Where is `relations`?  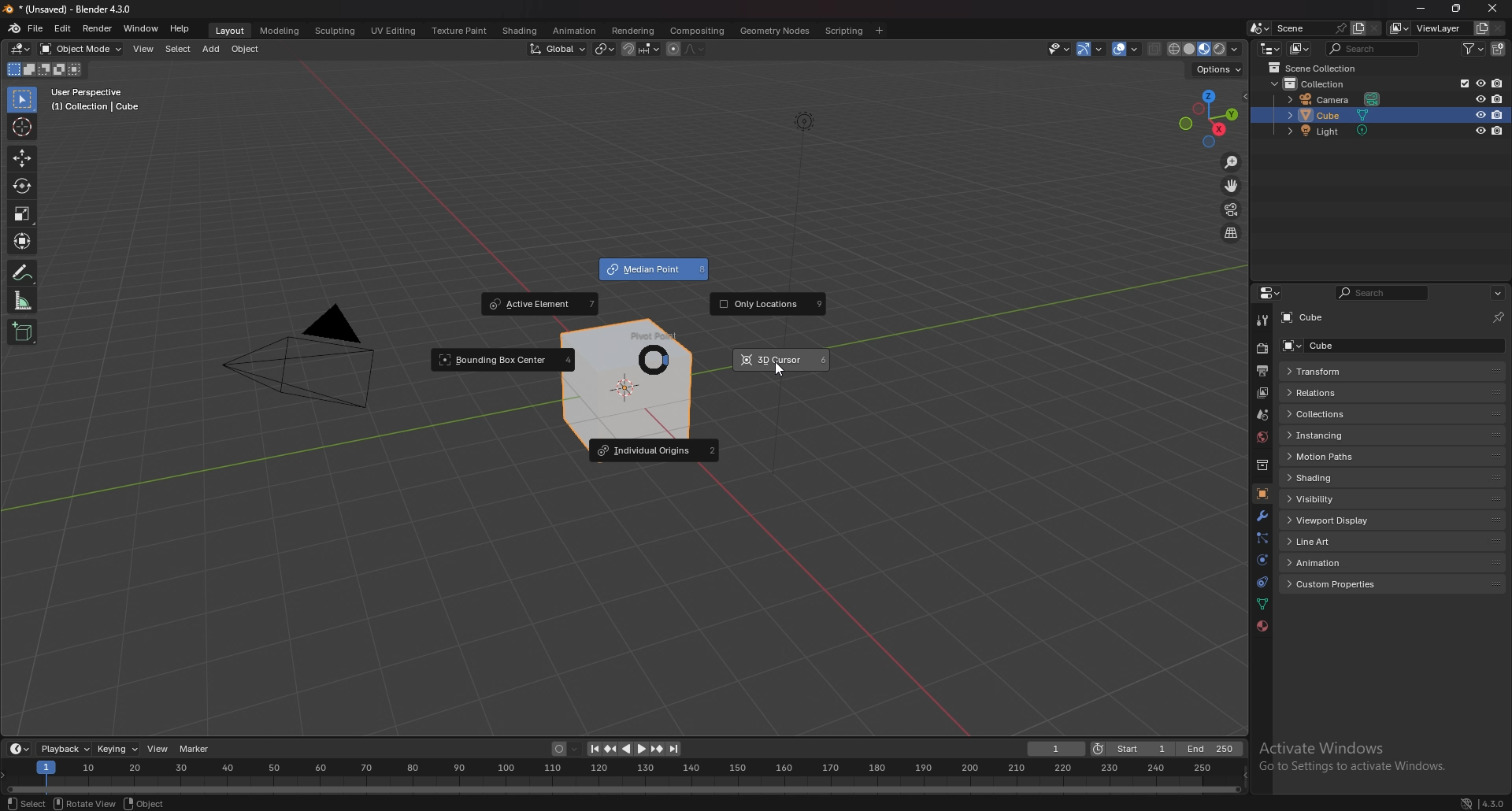
relations is located at coordinates (1339, 392).